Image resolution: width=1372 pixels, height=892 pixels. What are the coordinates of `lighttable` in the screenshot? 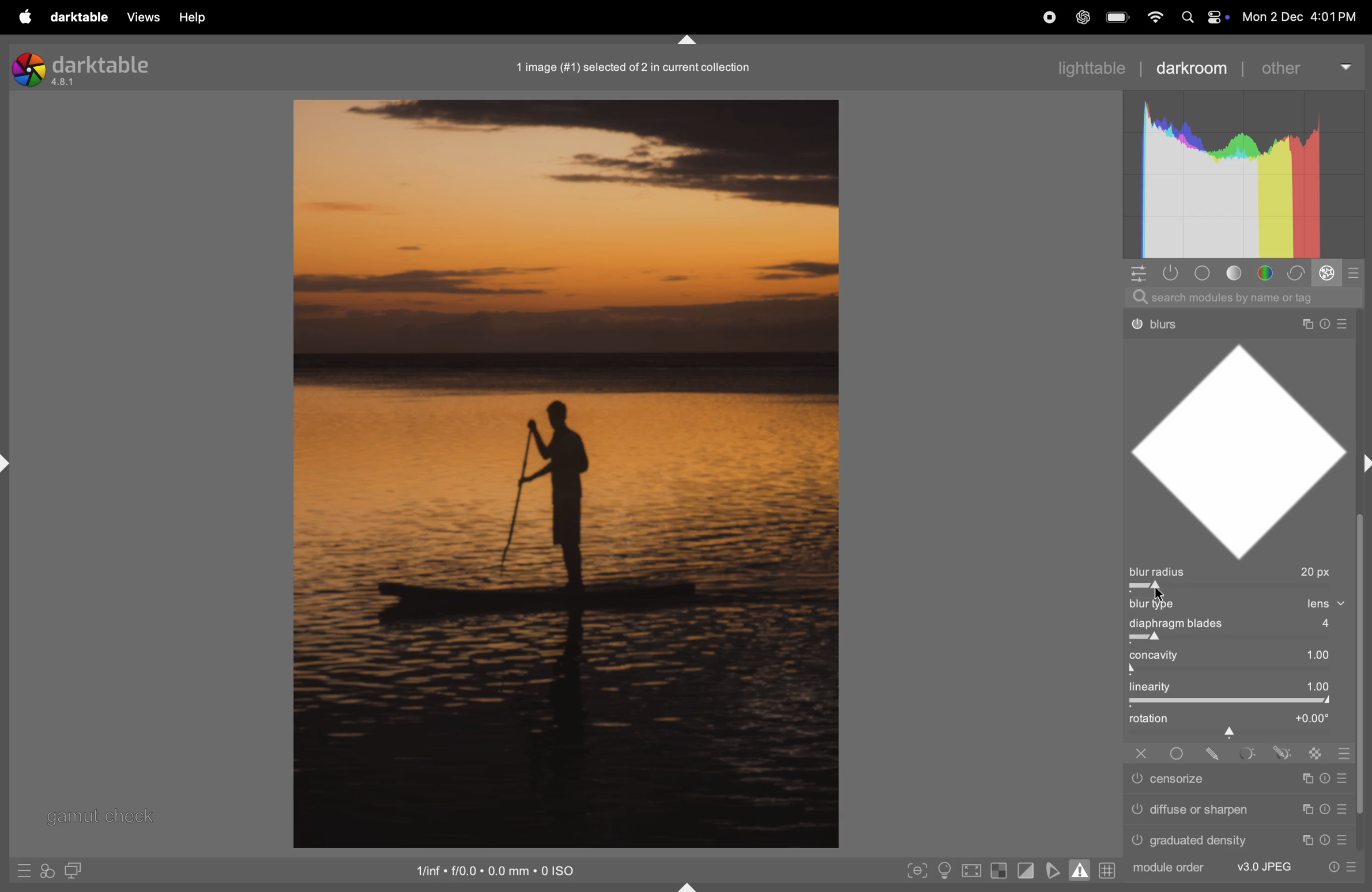 It's located at (1065, 67).